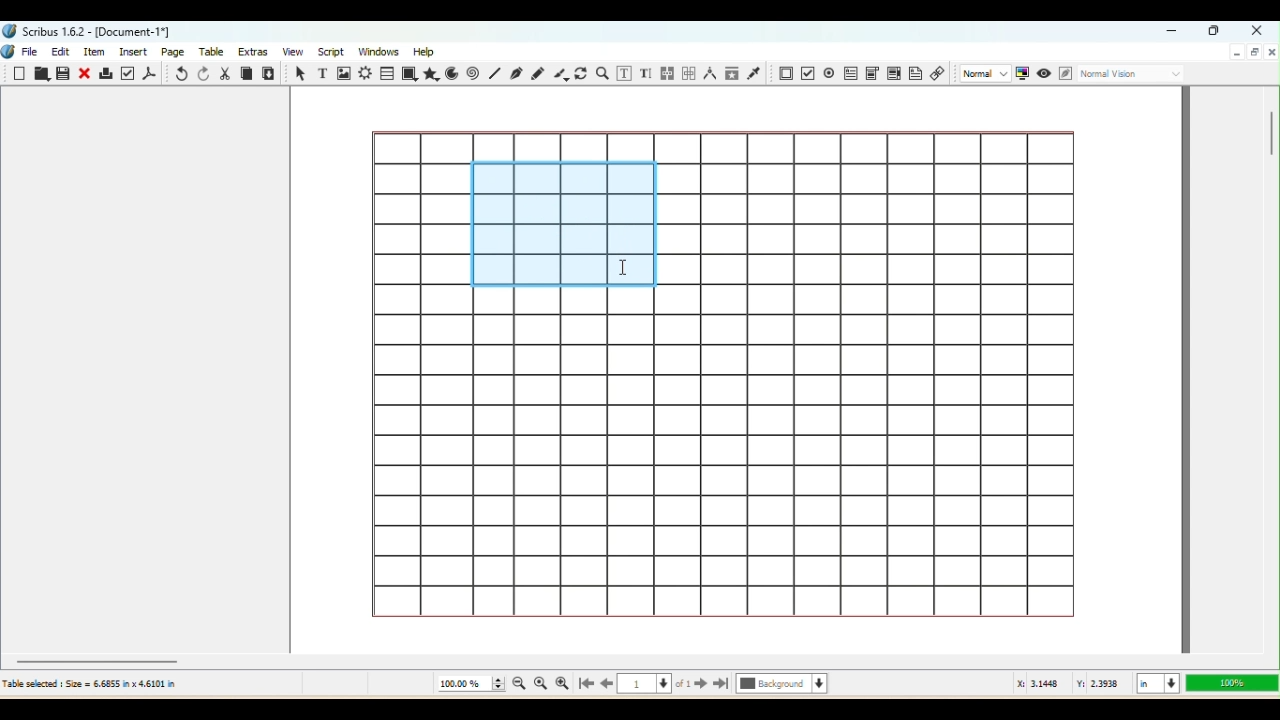 The width and height of the screenshot is (1280, 720). I want to click on Current zoom level, so click(470, 684).